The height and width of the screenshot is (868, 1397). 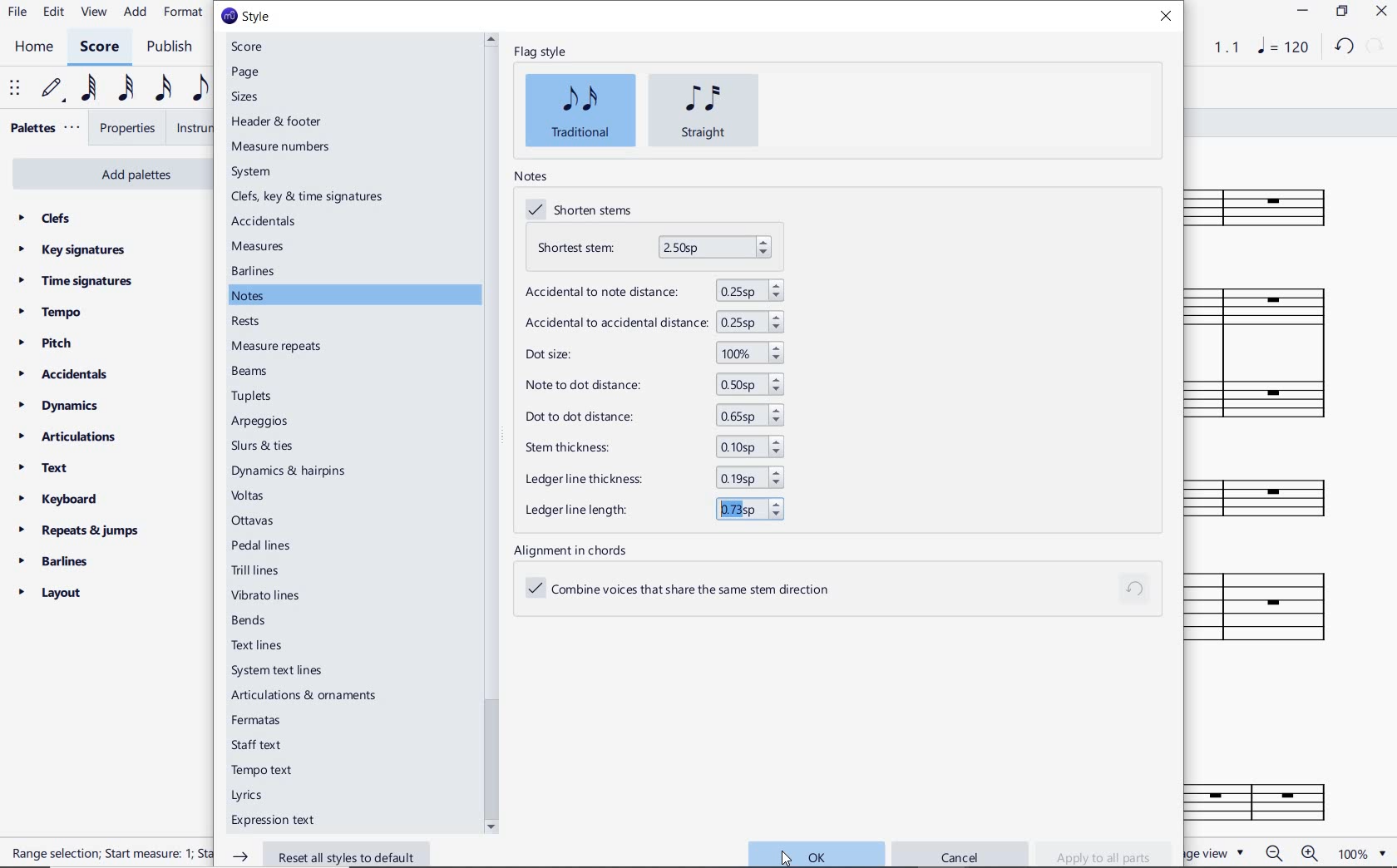 What do you see at coordinates (183, 13) in the screenshot?
I see `format` at bounding box center [183, 13].